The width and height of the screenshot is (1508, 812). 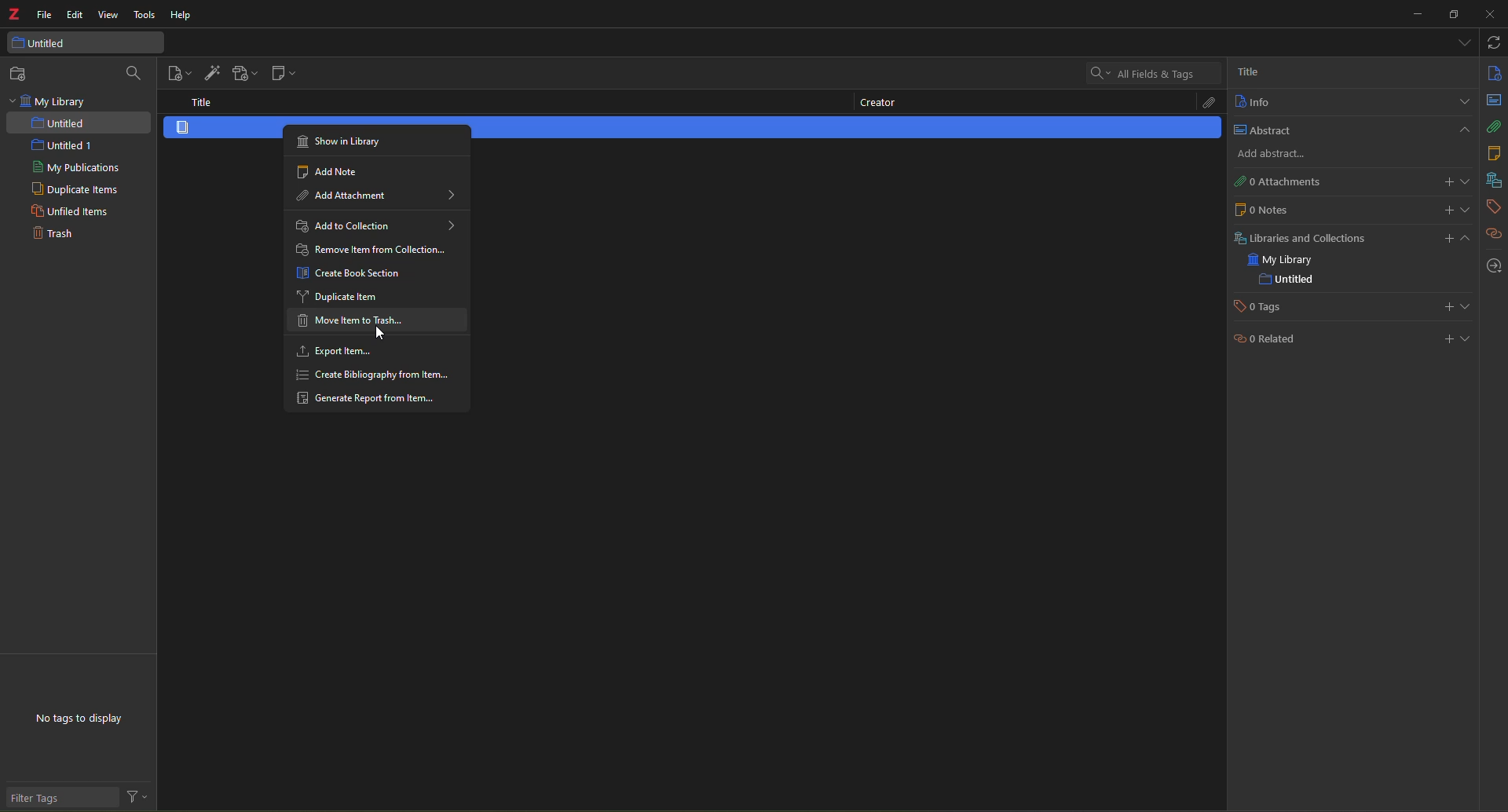 What do you see at coordinates (350, 322) in the screenshot?
I see `move item to trash` at bounding box center [350, 322].